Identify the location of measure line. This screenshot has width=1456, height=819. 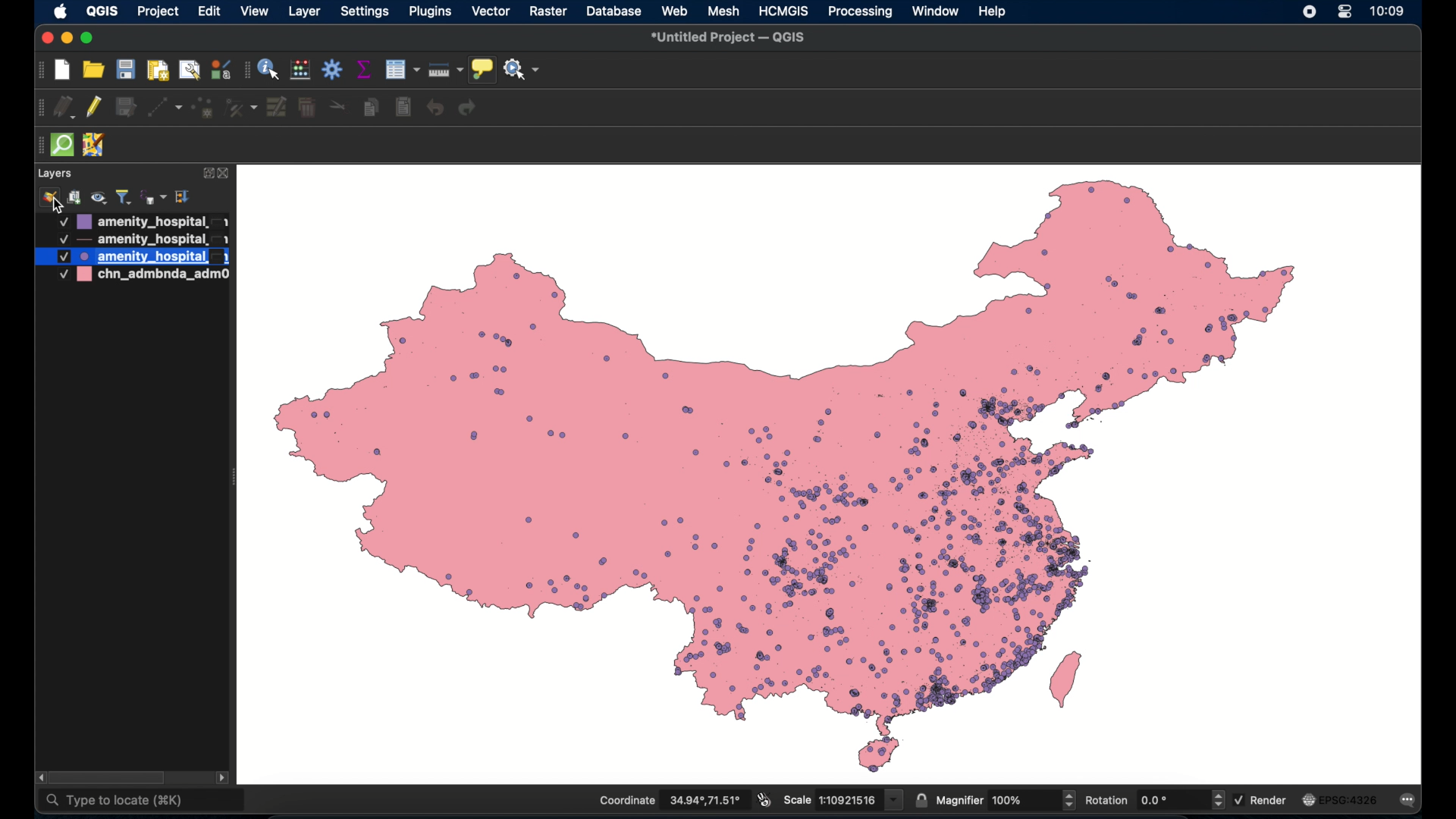
(446, 69).